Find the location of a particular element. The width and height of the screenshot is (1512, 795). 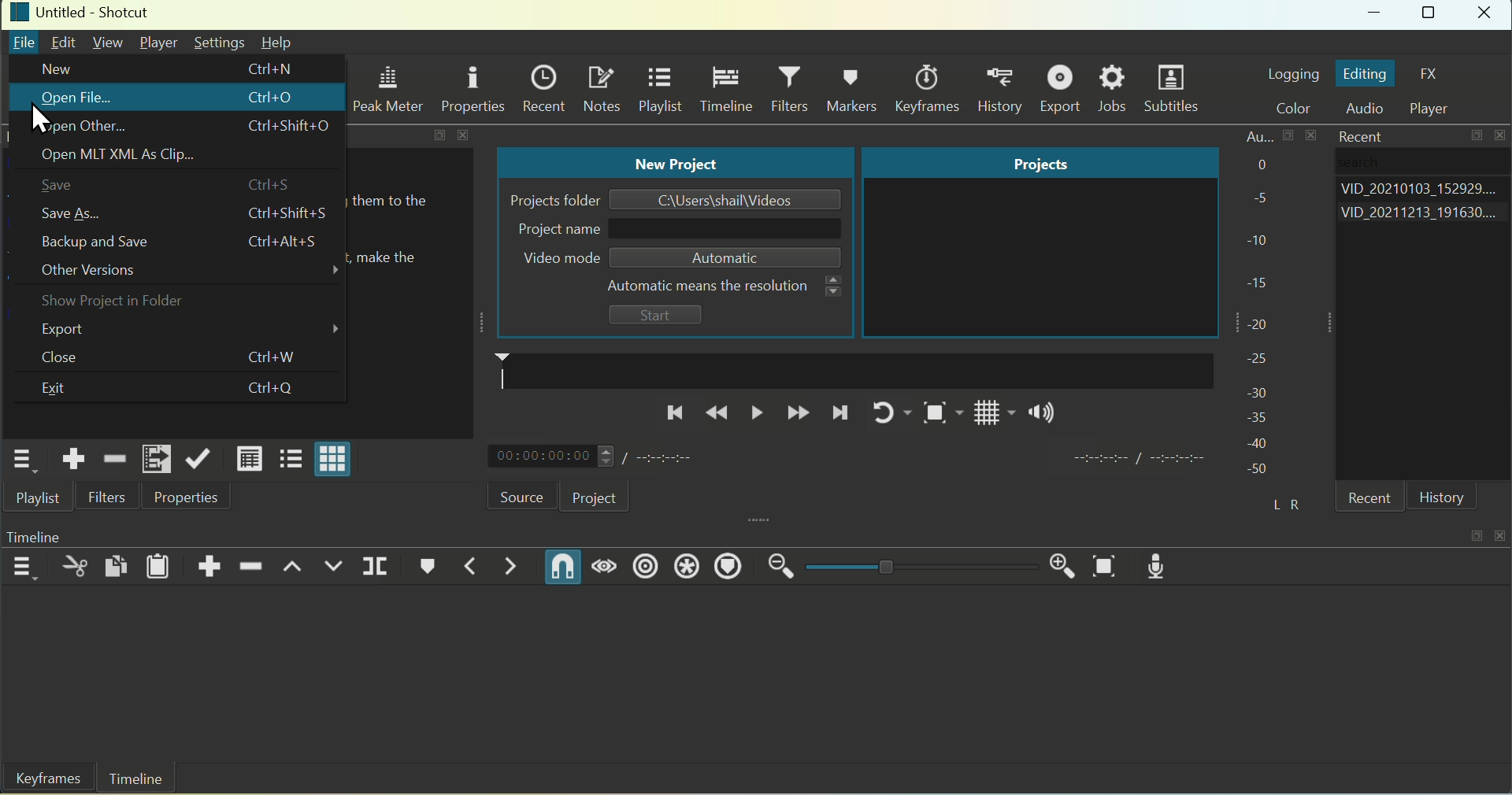

Sound is located at coordinates (1043, 416).